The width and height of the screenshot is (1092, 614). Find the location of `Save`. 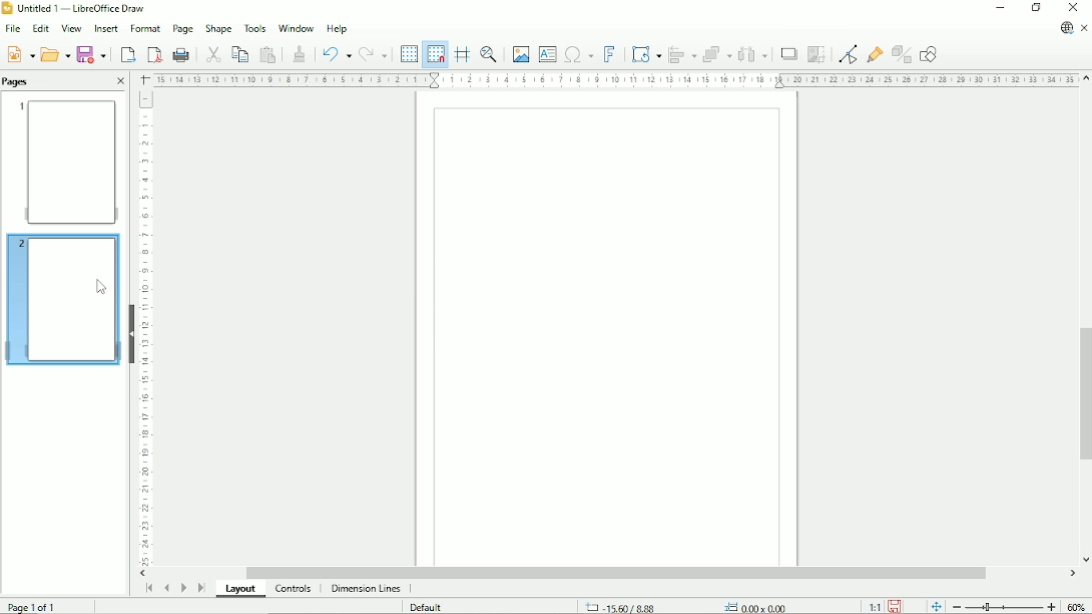

Save is located at coordinates (896, 605).